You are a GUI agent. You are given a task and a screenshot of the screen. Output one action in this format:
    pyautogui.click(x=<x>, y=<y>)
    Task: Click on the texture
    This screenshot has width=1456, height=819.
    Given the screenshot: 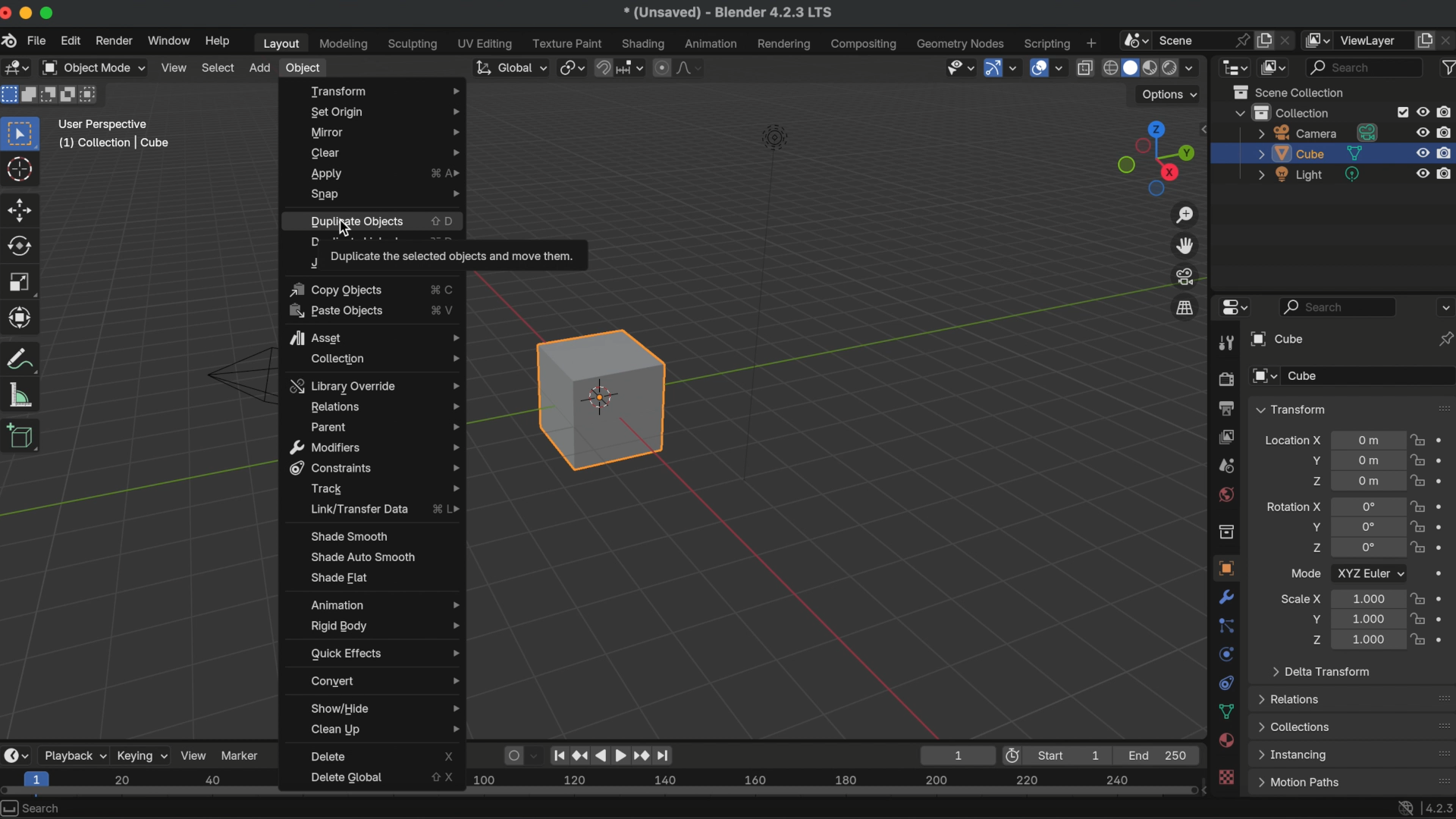 What is the action you would take?
    pyautogui.click(x=1228, y=778)
    